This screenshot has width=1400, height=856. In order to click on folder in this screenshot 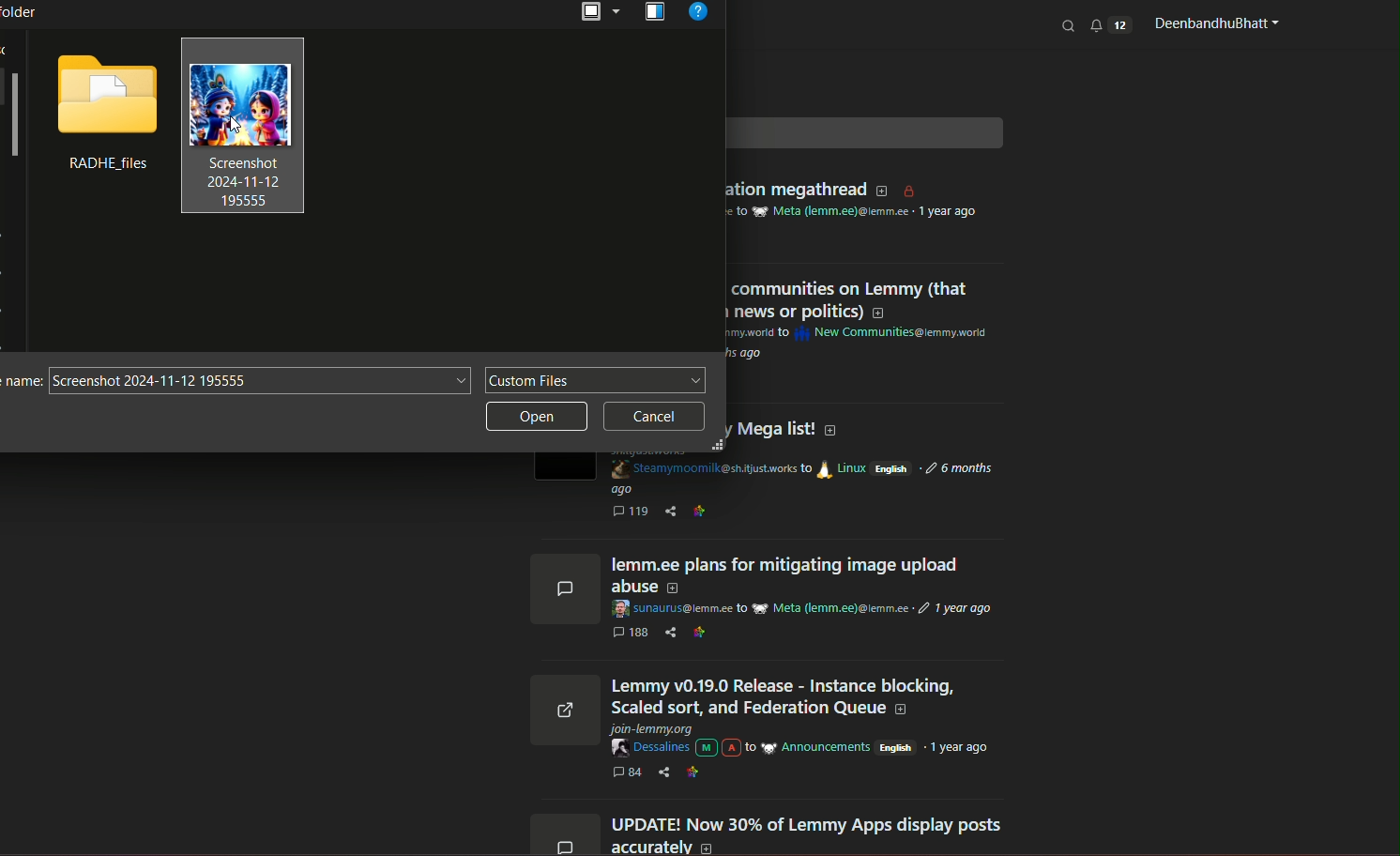, I will do `click(105, 94)`.